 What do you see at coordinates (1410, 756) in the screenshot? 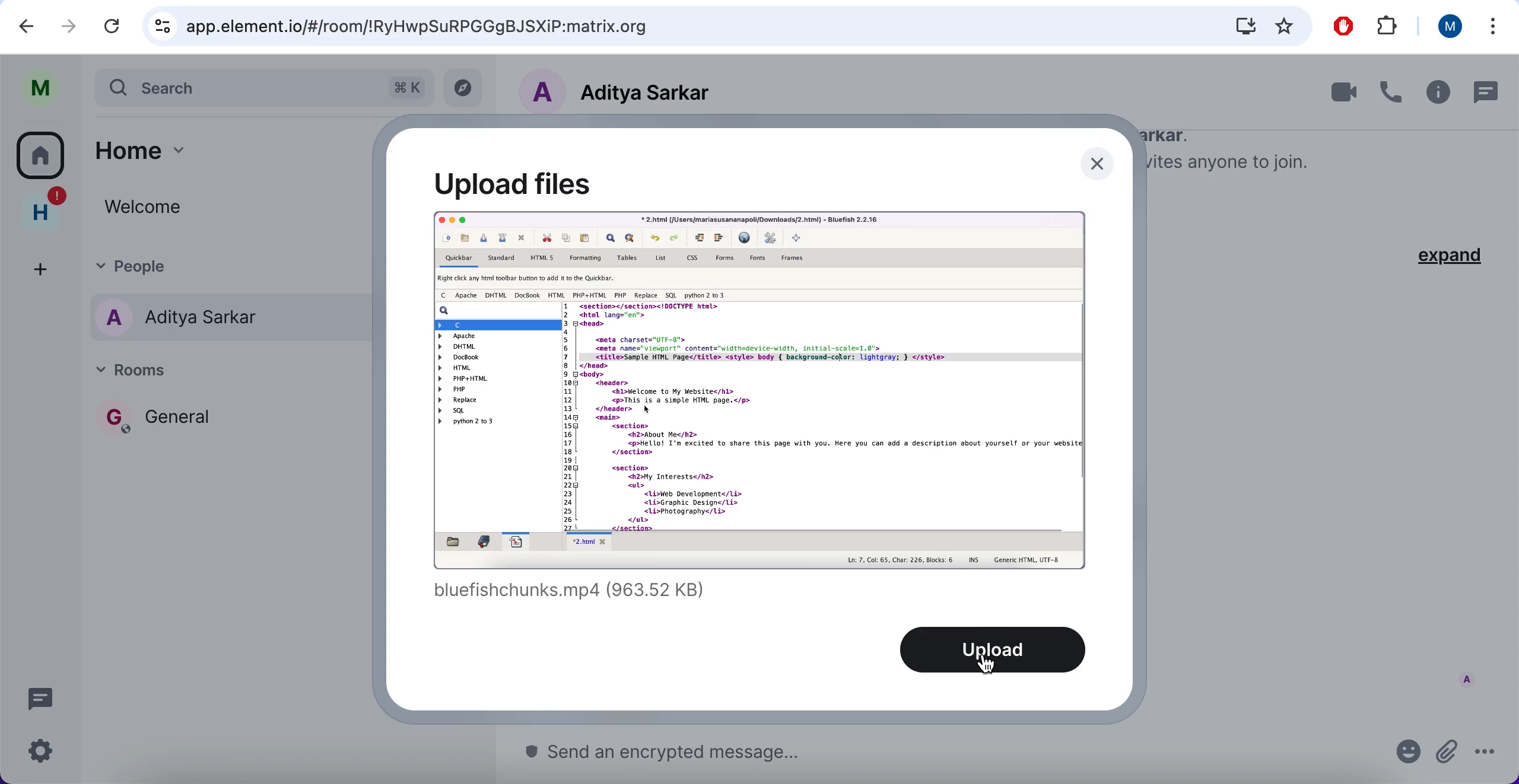
I see `emoji` at bounding box center [1410, 756].